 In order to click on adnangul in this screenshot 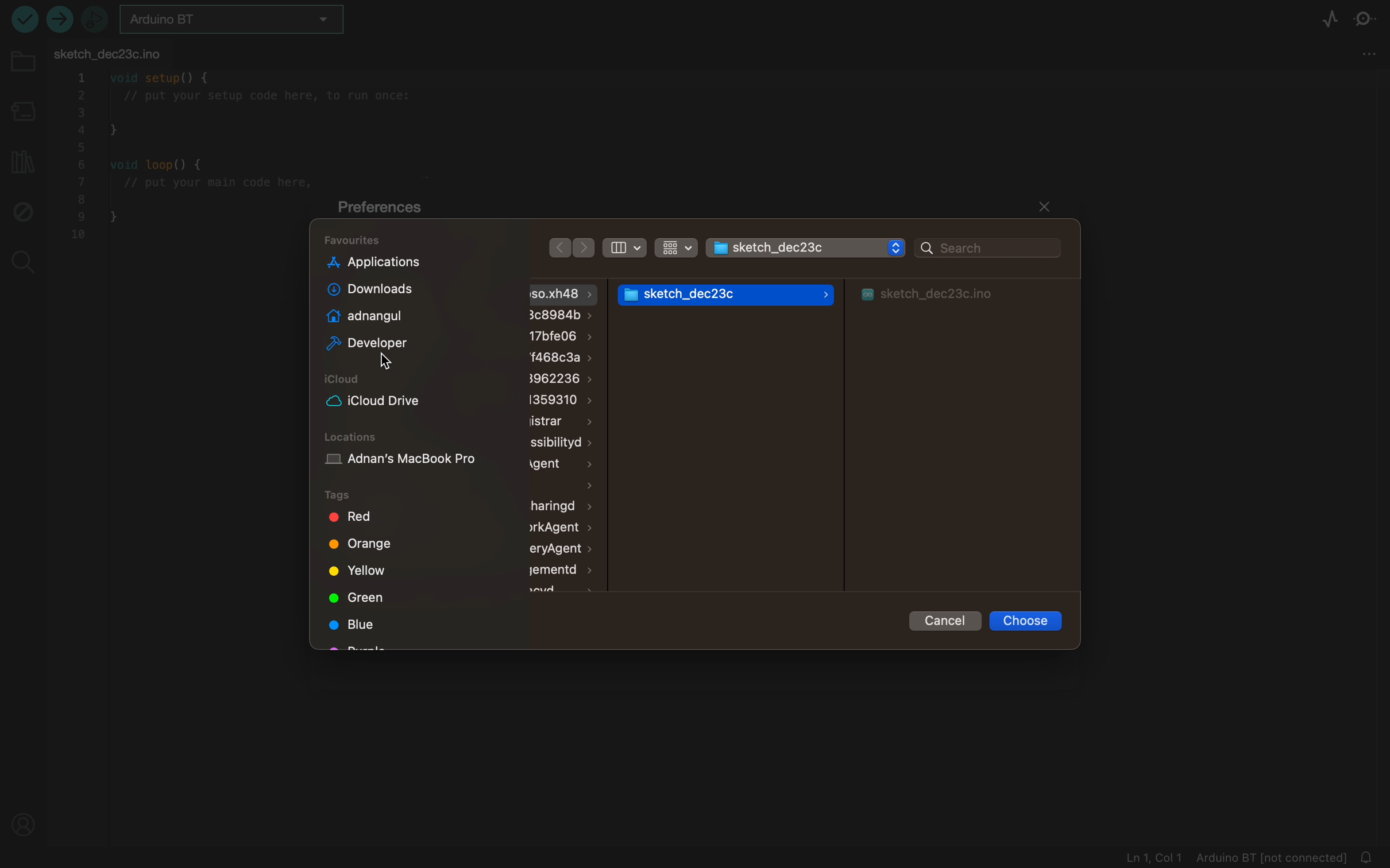, I will do `click(376, 316)`.